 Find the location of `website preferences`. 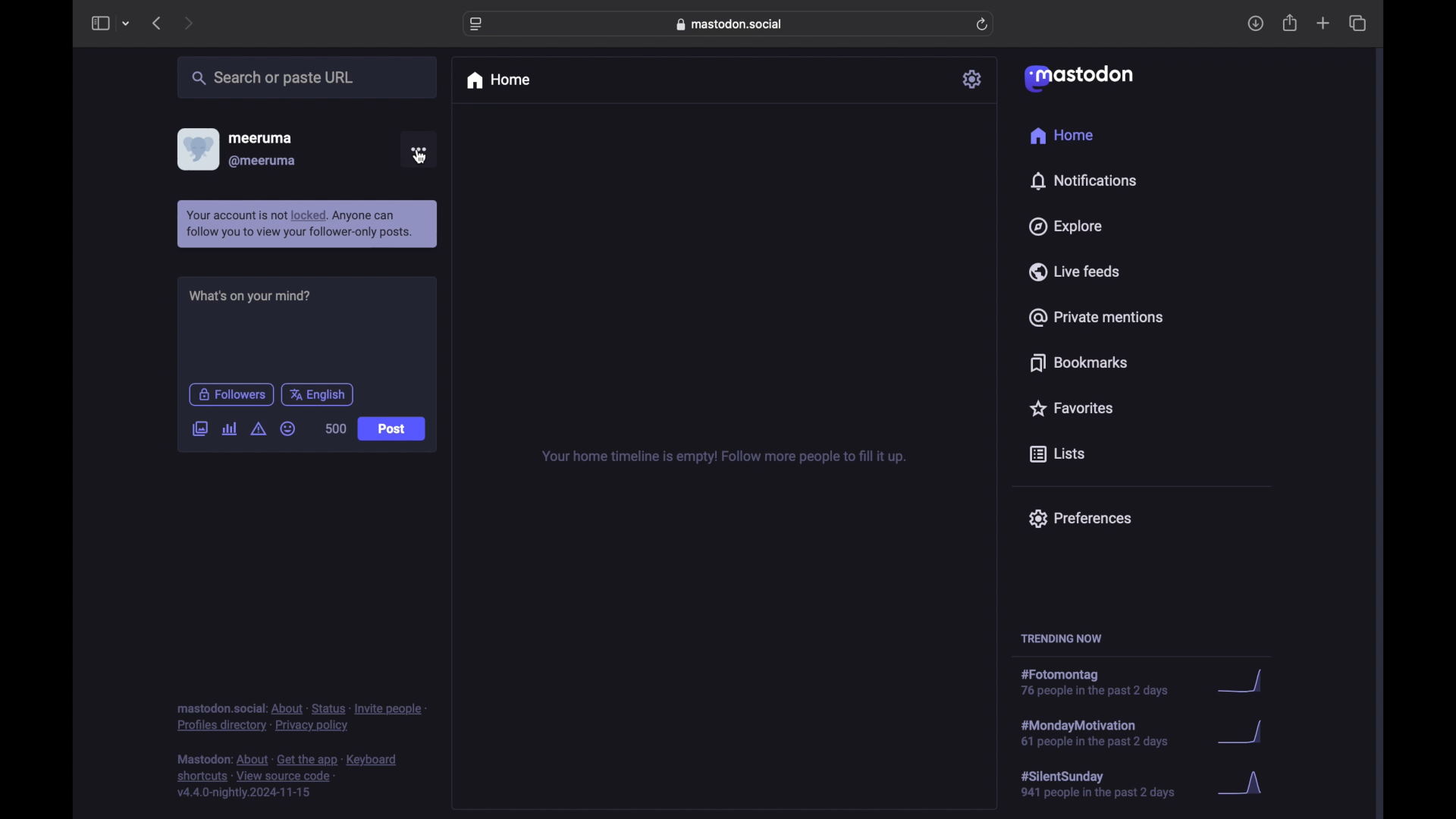

website preferences is located at coordinates (475, 25).